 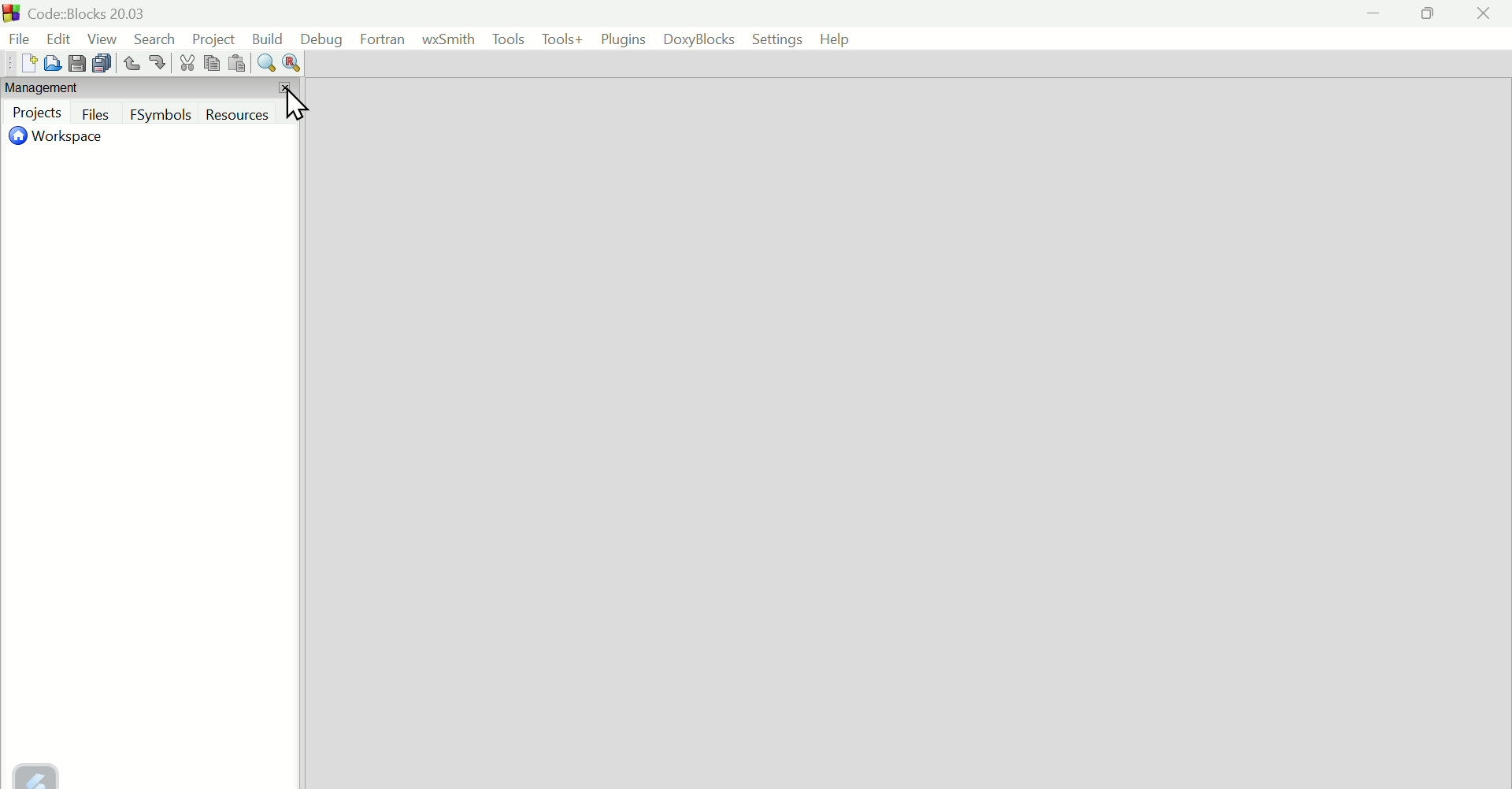 What do you see at coordinates (624, 39) in the screenshot?
I see `Plugins` at bounding box center [624, 39].